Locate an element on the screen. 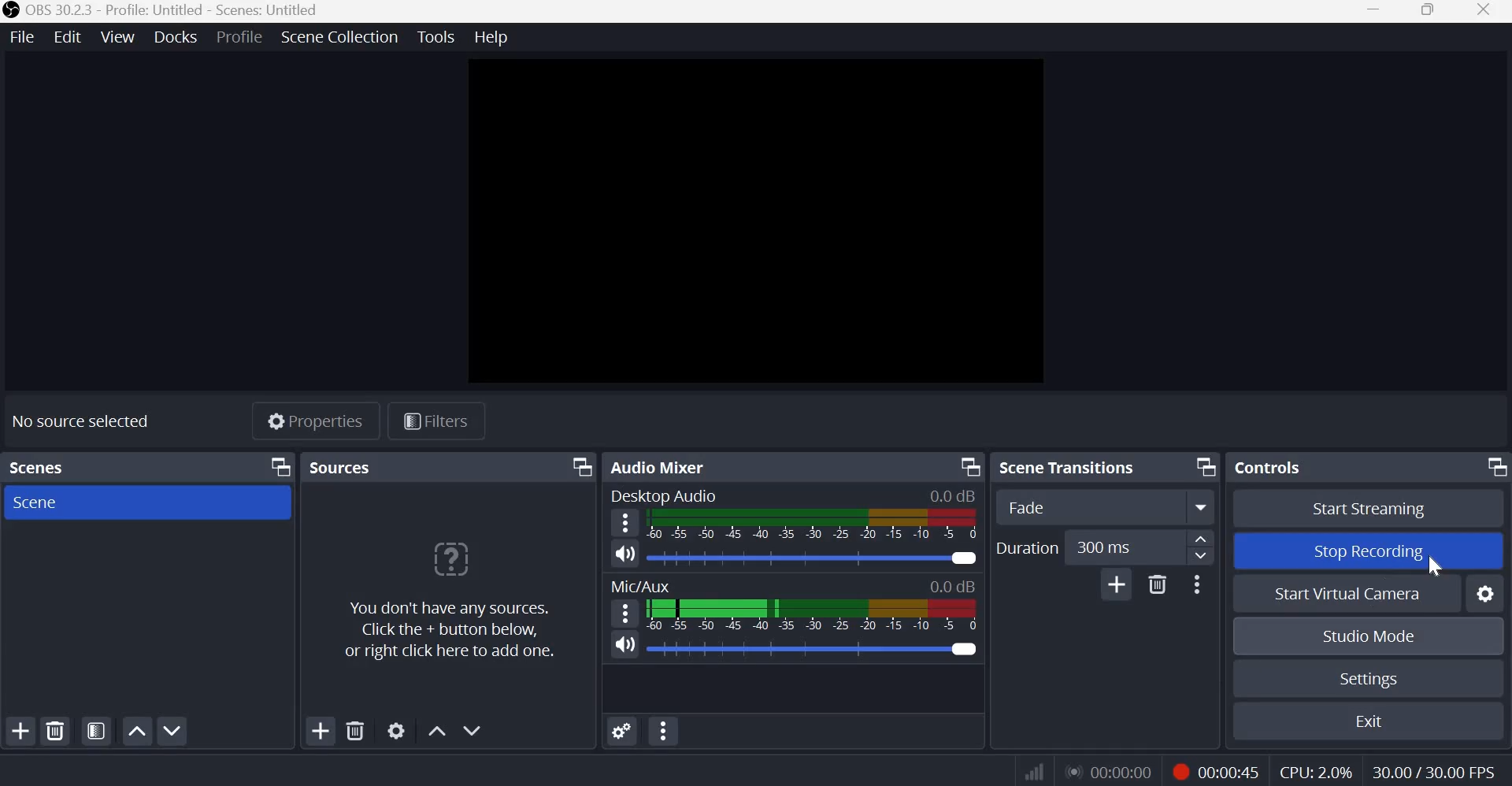  Speaker Icon is located at coordinates (626, 614).